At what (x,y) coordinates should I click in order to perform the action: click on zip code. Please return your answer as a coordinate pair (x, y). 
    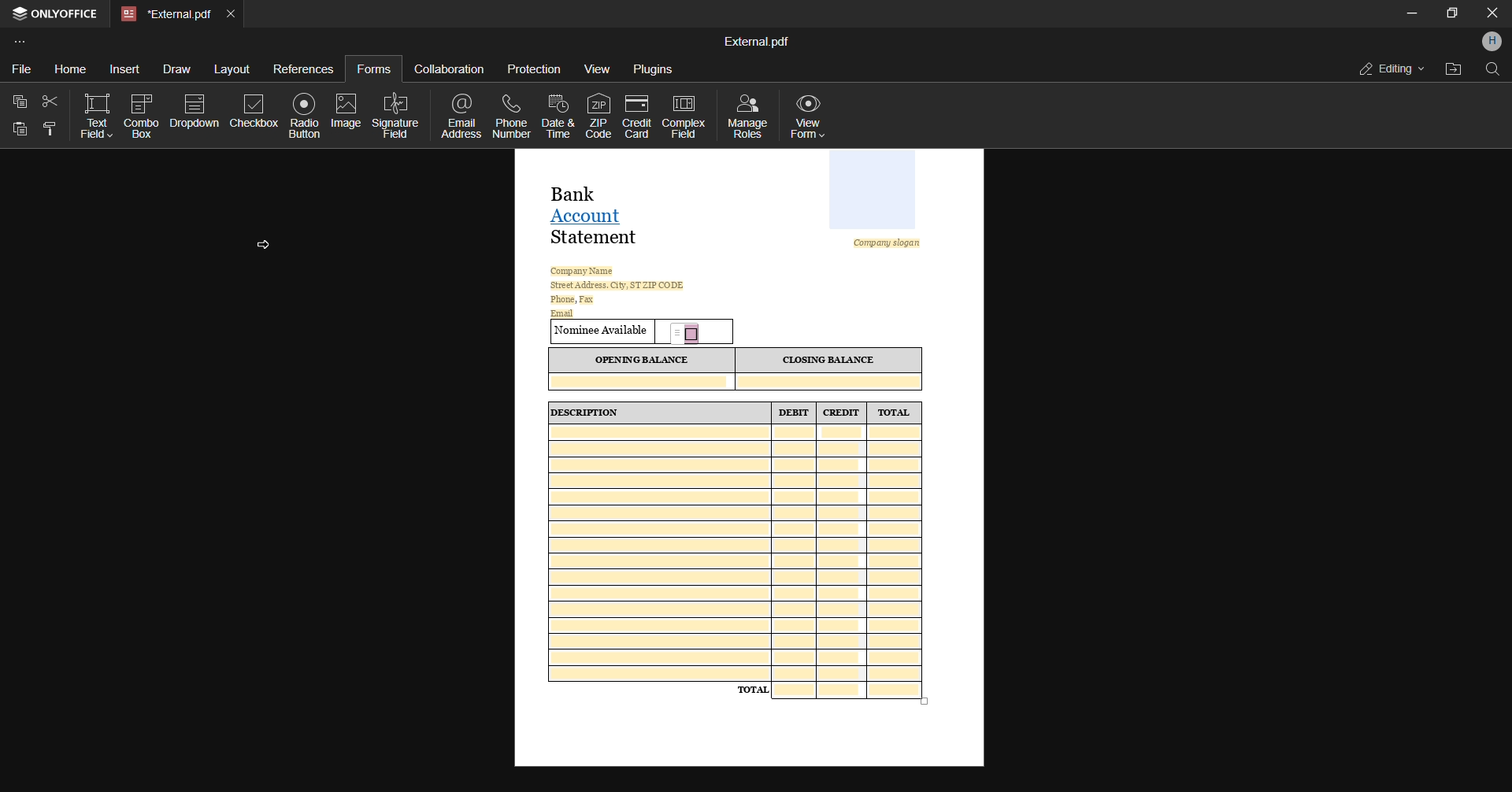
    Looking at the image, I should click on (595, 114).